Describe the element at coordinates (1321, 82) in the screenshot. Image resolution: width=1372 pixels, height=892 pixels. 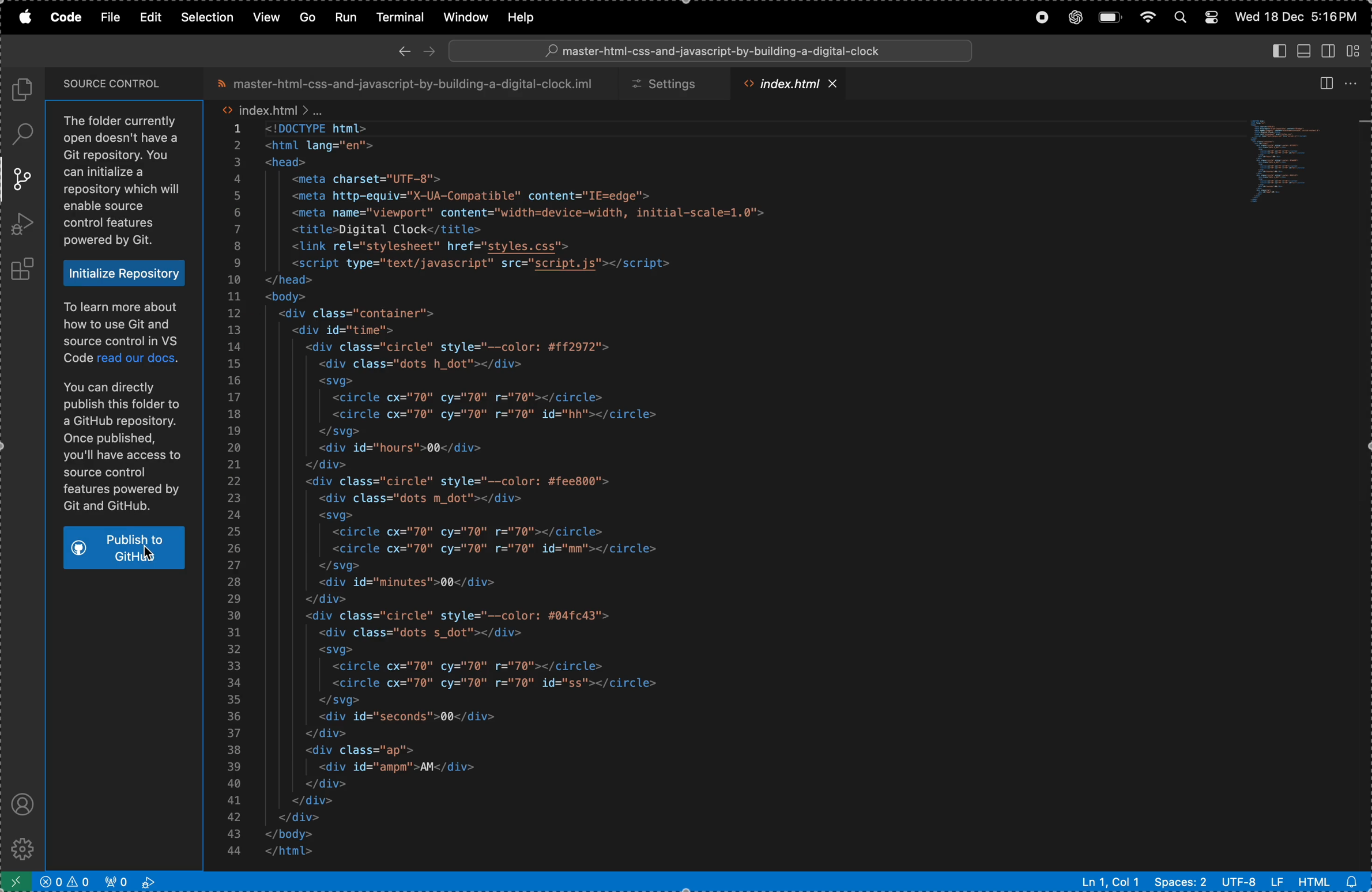
I see `split editor` at that location.